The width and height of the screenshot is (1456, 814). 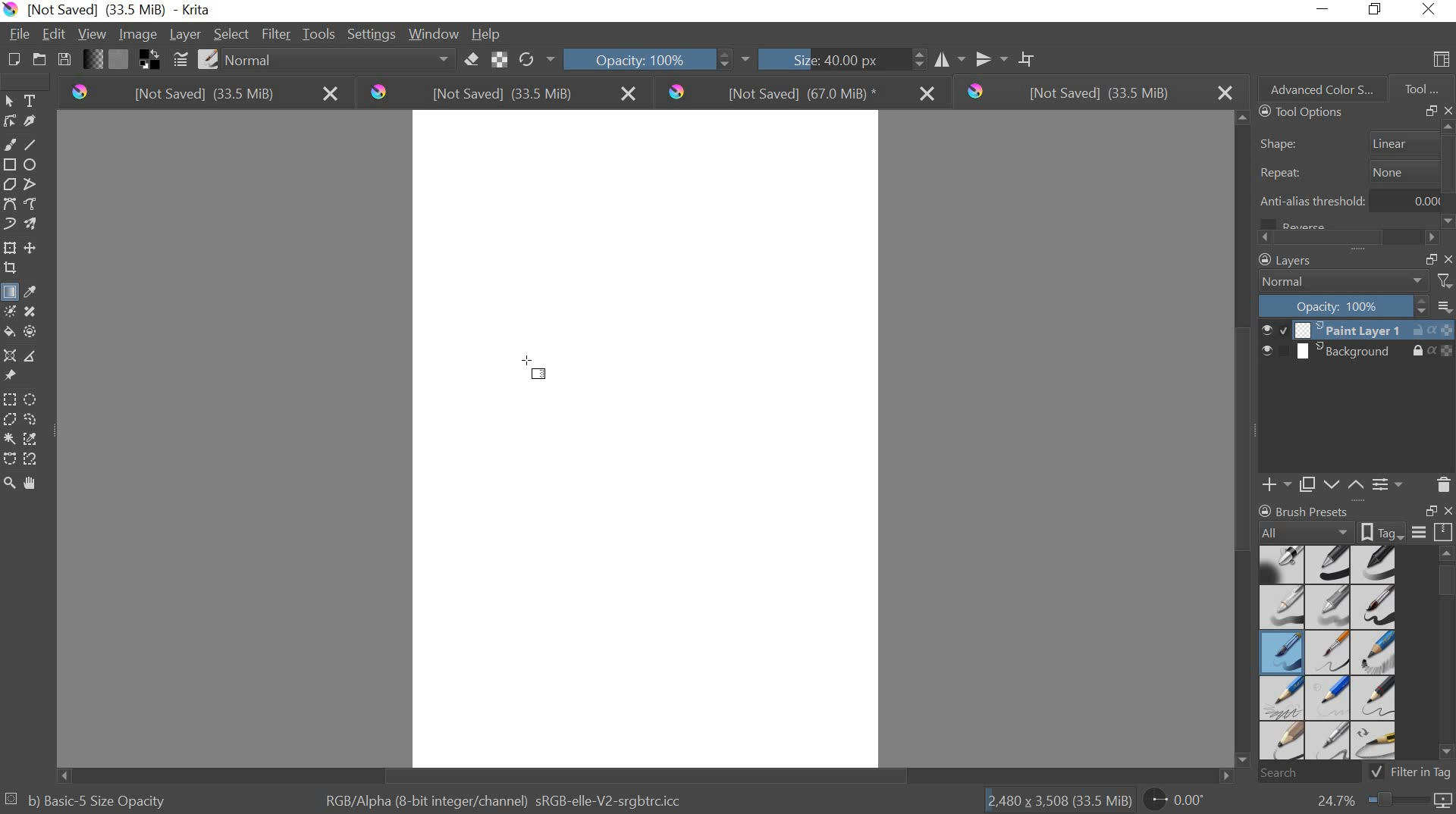 I want to click on anti alias threshold 0.00, so click(x=1344, y=206).